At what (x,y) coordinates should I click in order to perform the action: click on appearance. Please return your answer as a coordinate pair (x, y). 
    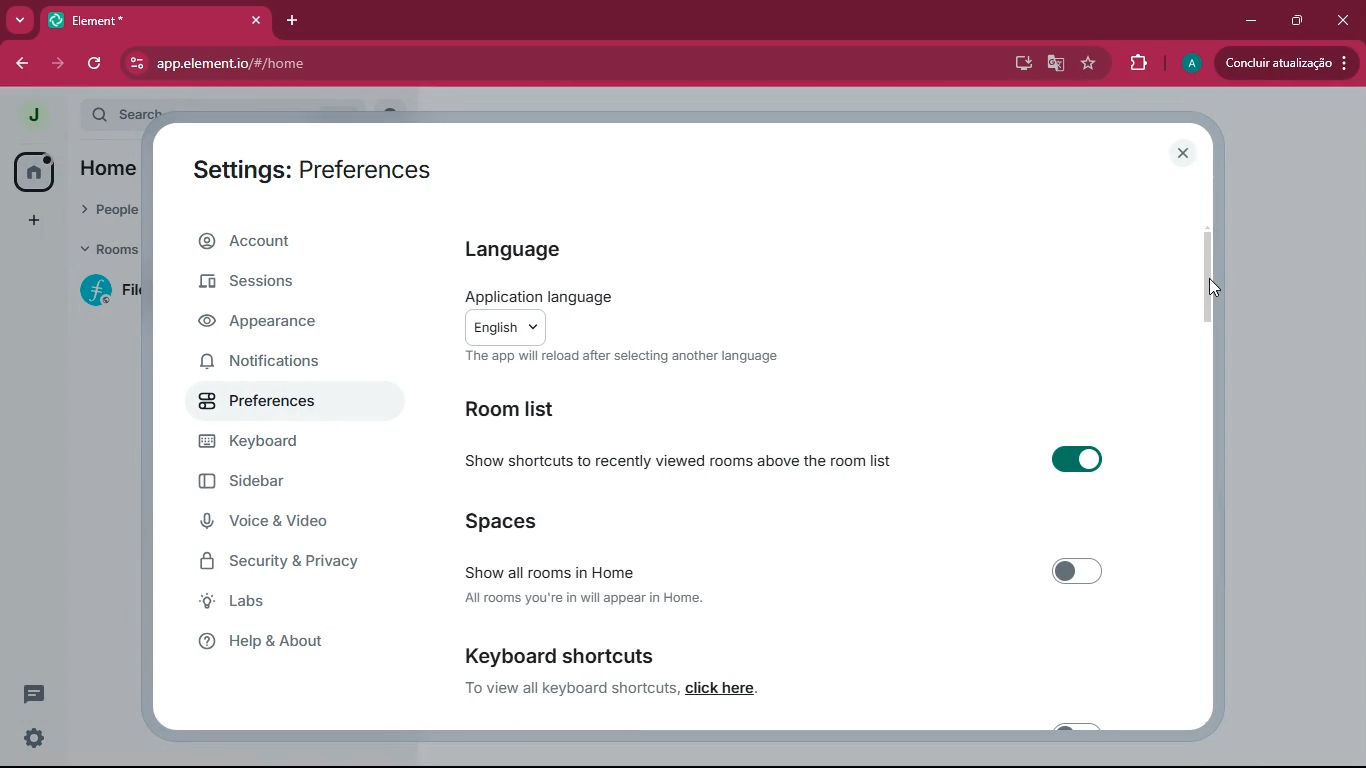
    Looking at the image, I should click on (271, 326).